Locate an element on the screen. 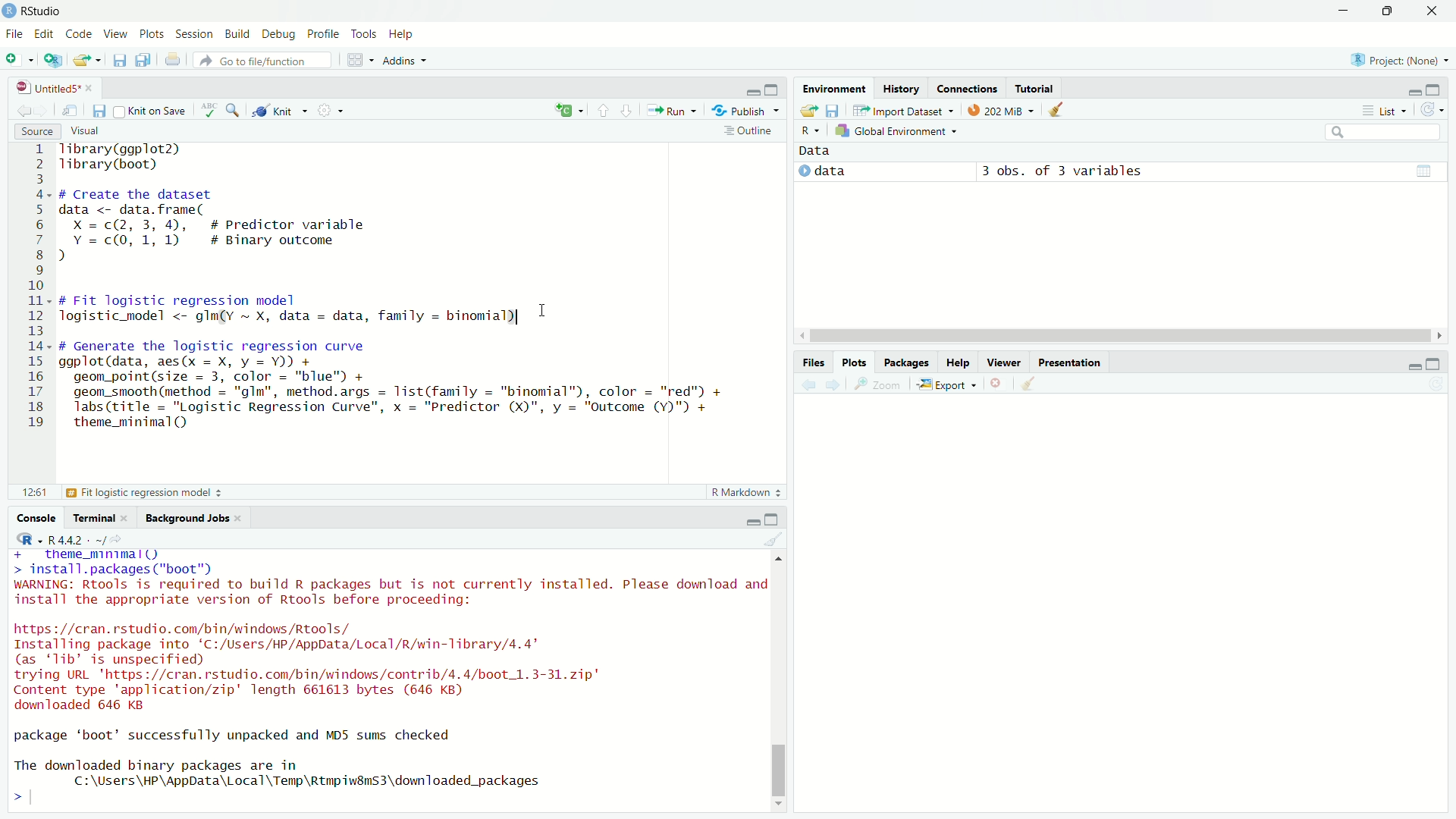 This screenshot has height=819, width=1456. 10:1 is located at coordinates (34, 492).